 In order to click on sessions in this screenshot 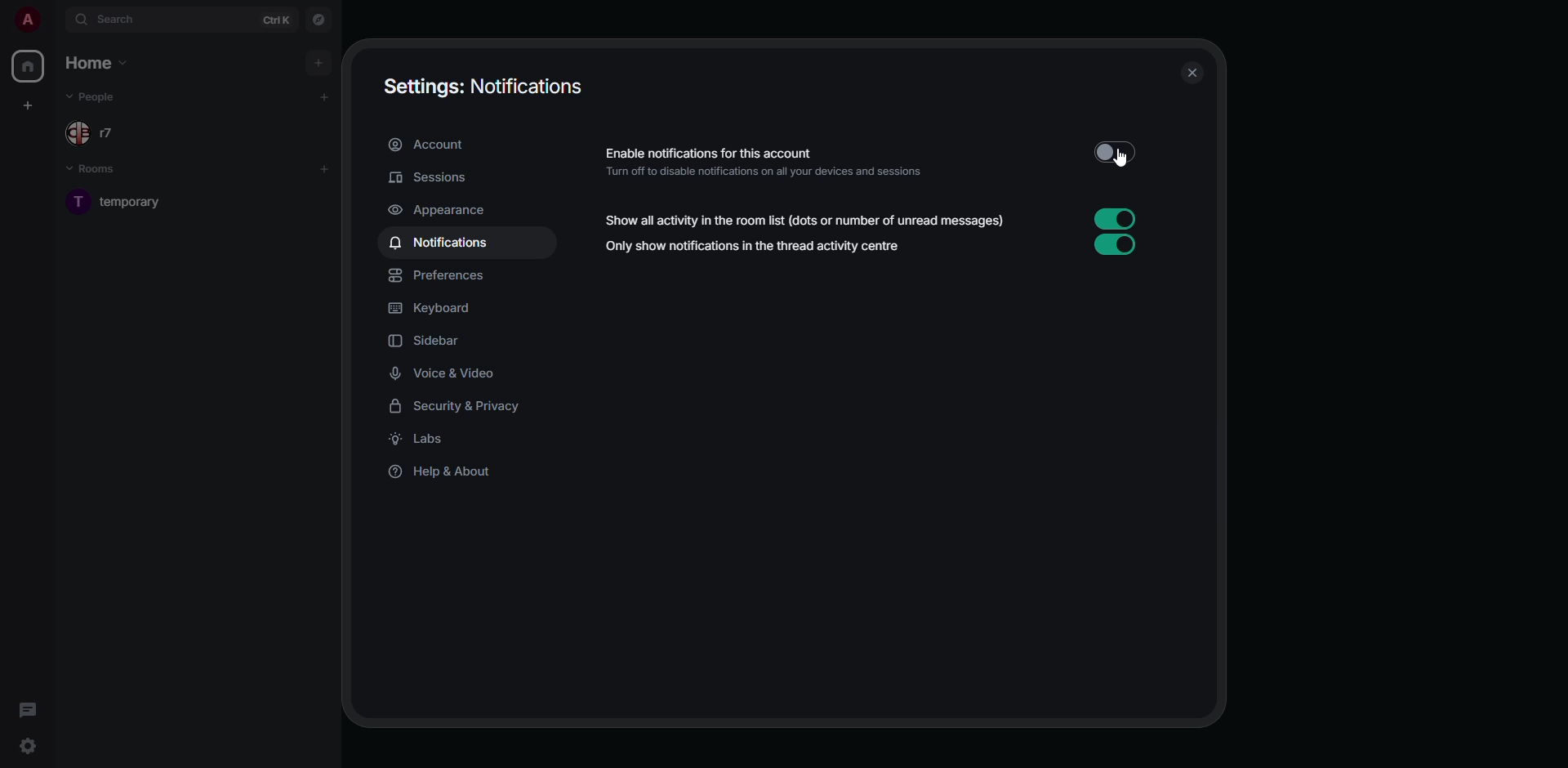, I will do `click(427, 176)`.